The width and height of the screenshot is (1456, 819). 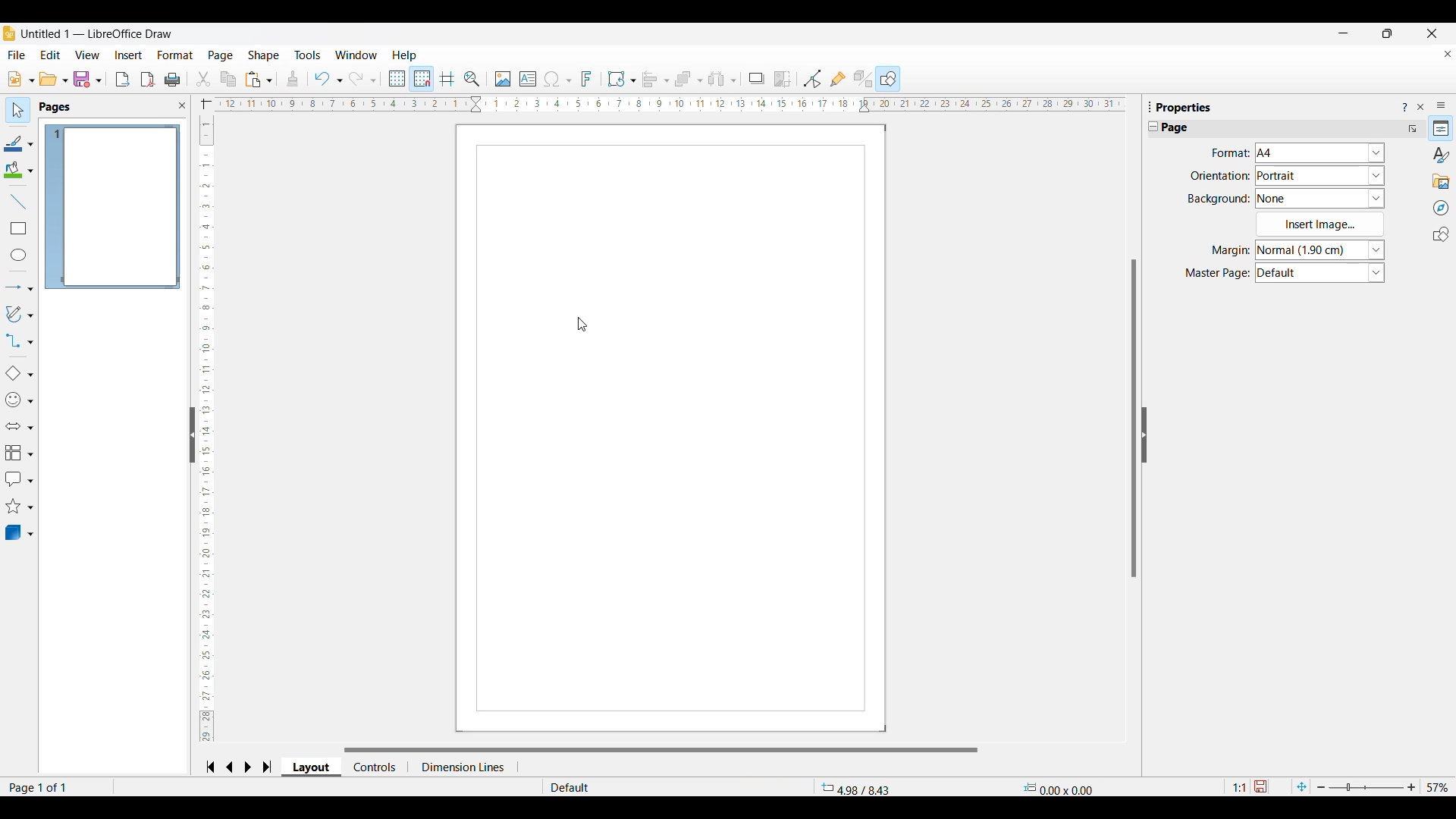 What do you see at coordinates (88, 79) in the screenshot?
I see `Save options` at bounding box center [88, 79].